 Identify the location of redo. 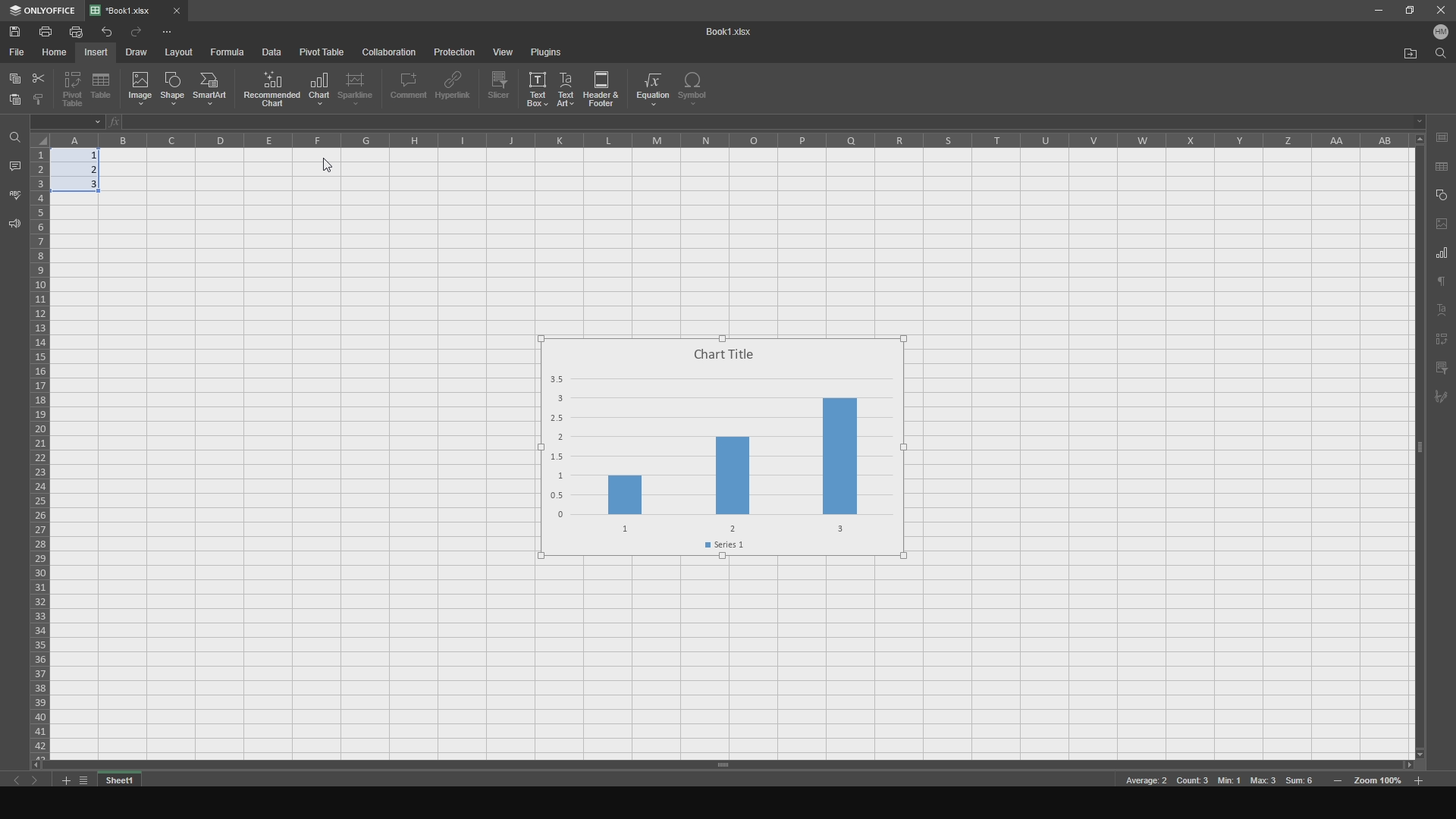
(139, 32).